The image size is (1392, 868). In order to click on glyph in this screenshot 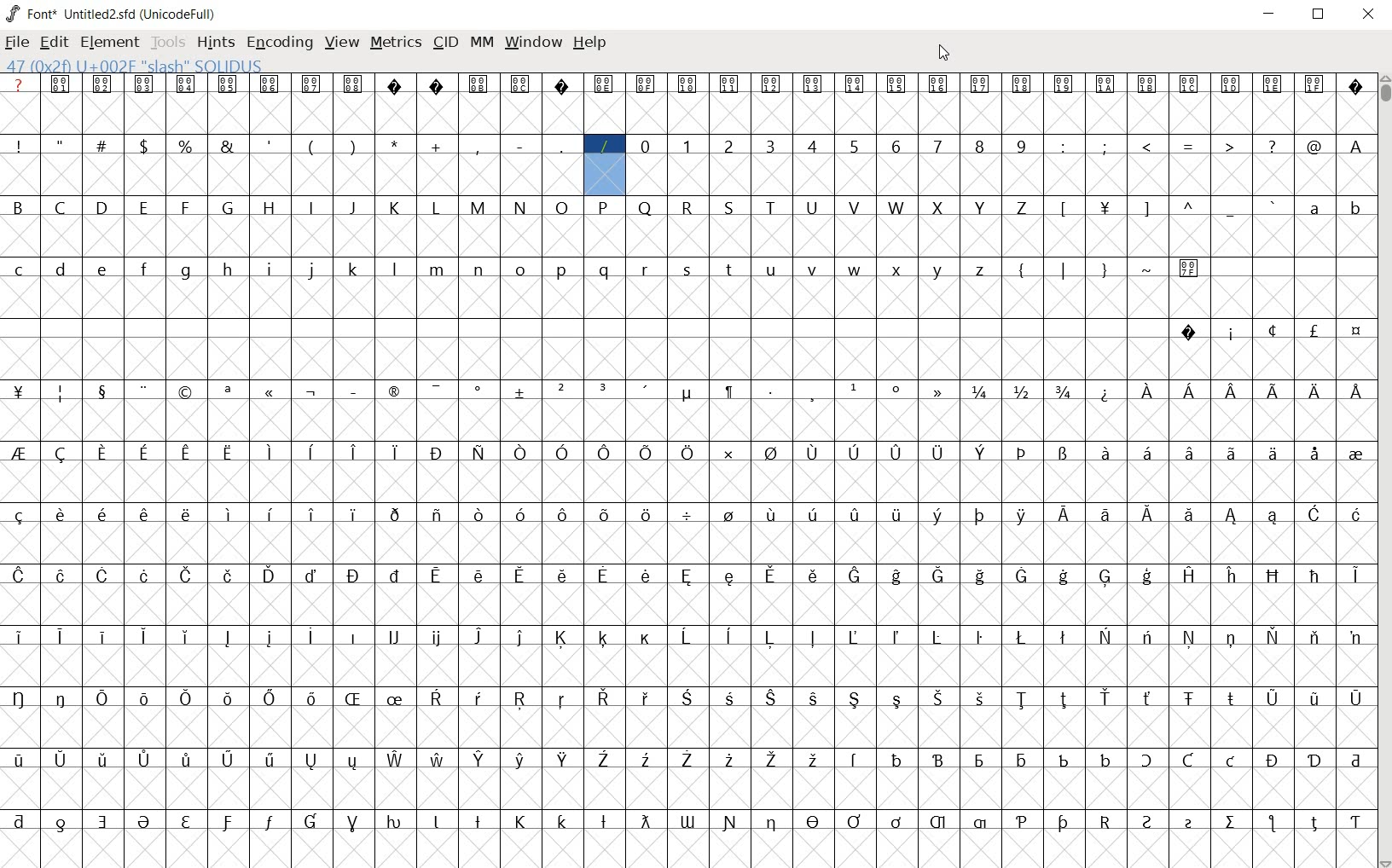, I will do `click(143, 637)`.